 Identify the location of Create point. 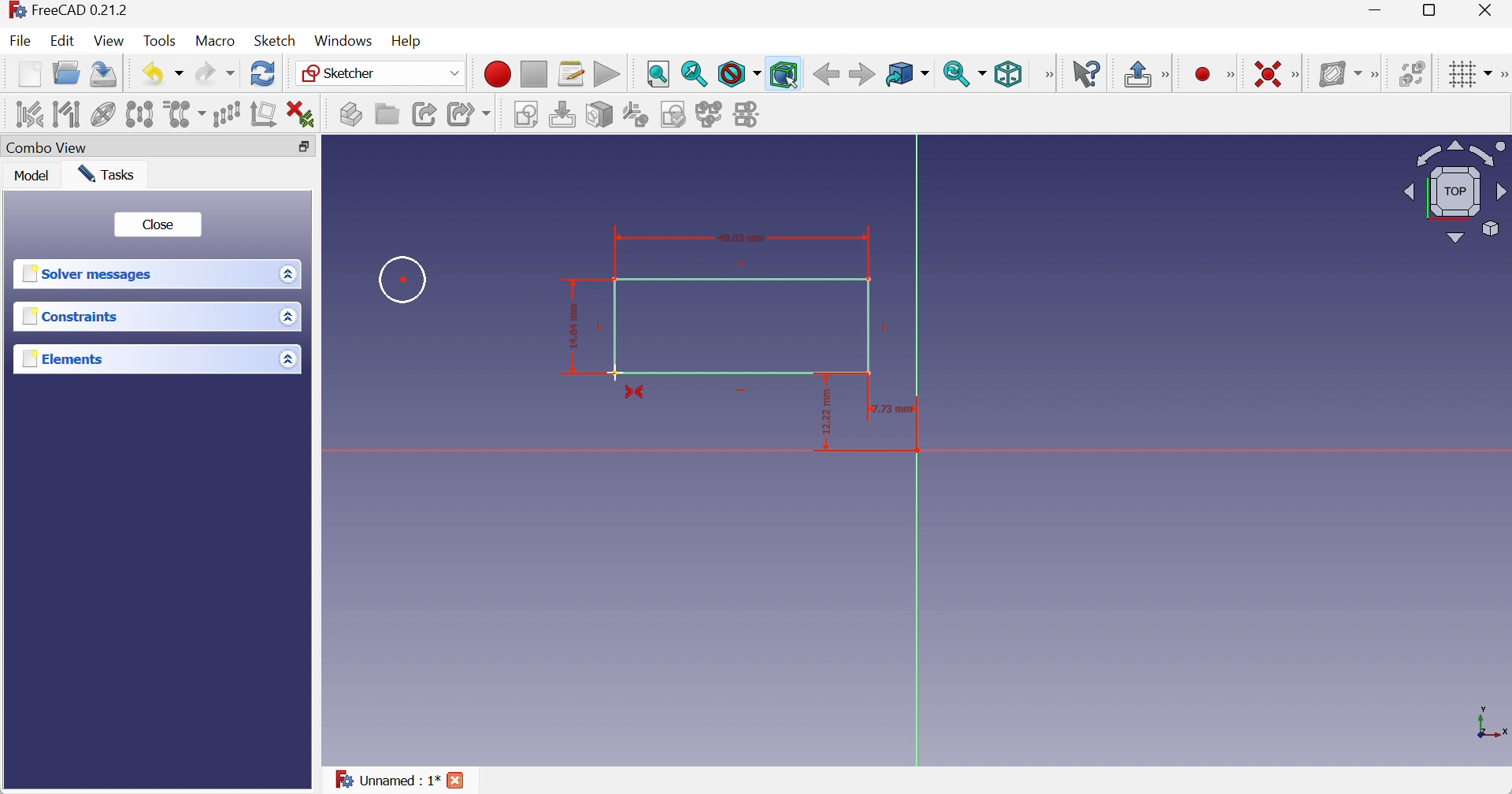
(1203, 75).